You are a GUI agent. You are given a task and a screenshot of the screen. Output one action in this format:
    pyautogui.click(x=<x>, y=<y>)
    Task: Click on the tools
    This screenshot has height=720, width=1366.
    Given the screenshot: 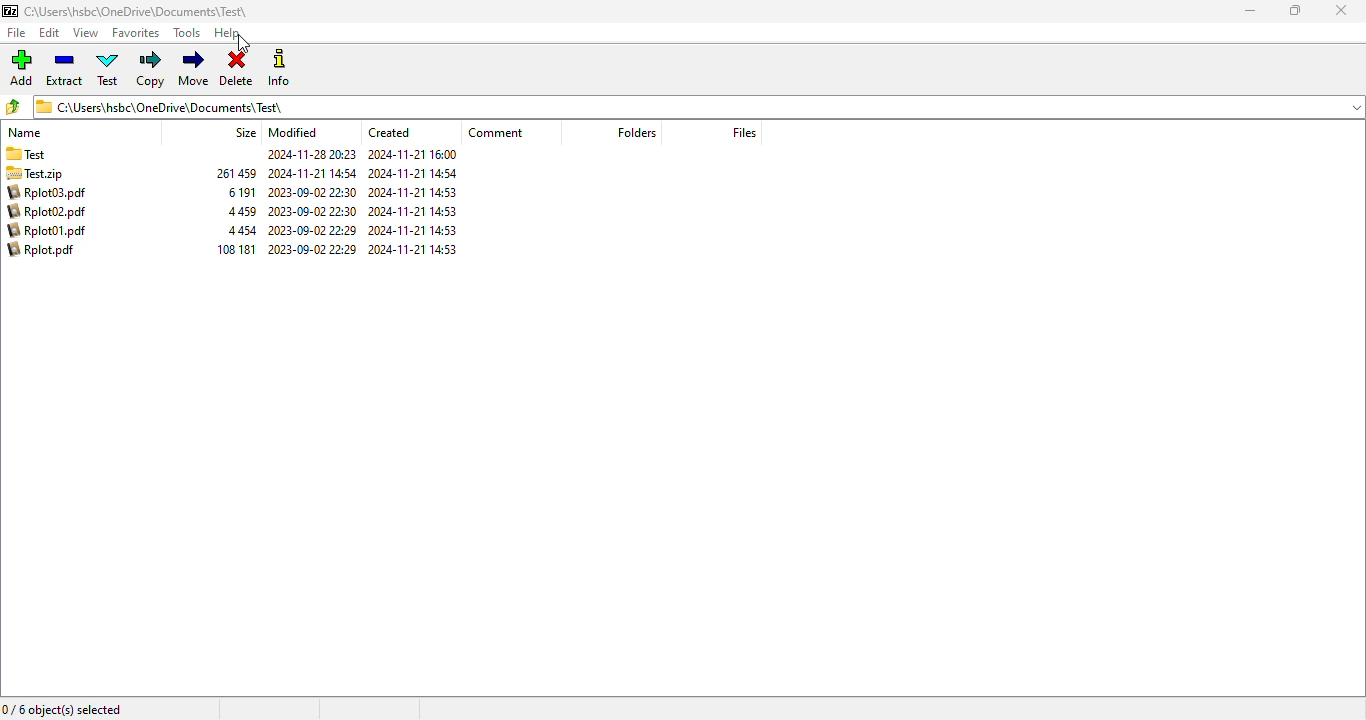 What is the action you would take?
    pyautogui.click(x=187, y=33)
    